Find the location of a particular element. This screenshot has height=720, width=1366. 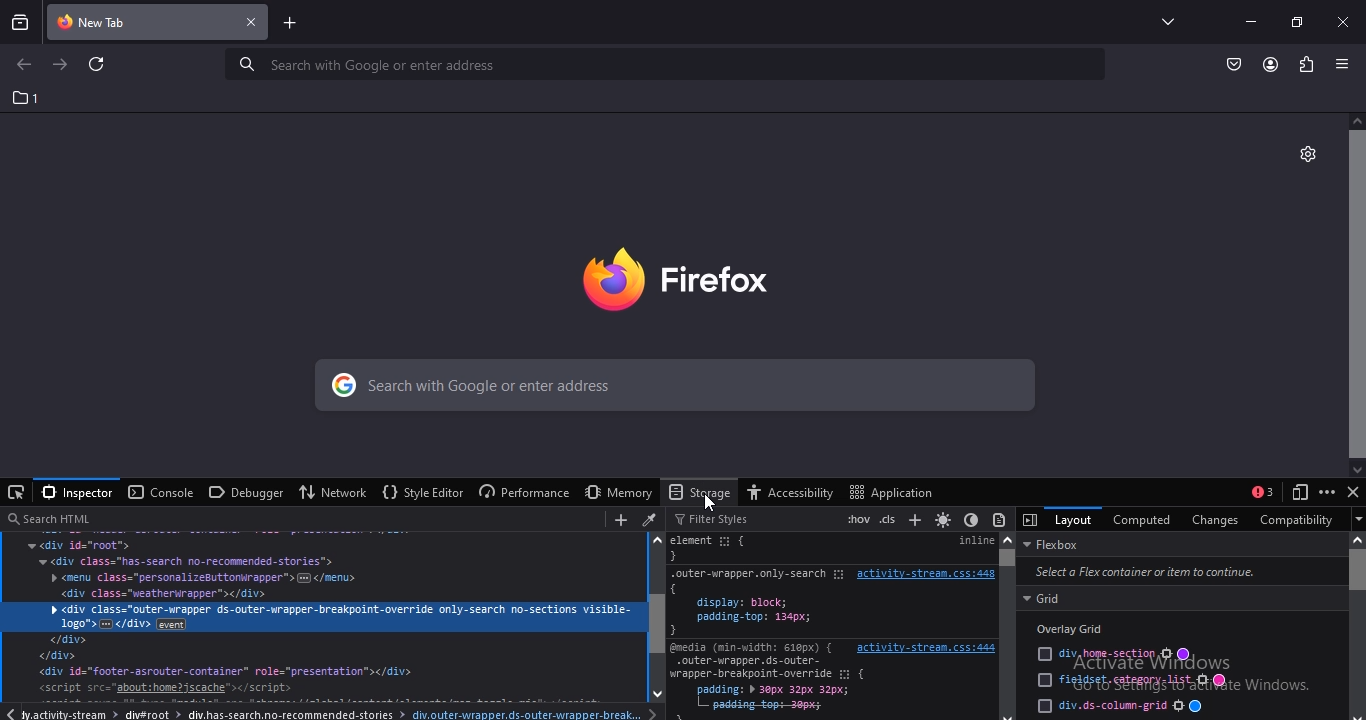

text is located at coordinates (322, 625).